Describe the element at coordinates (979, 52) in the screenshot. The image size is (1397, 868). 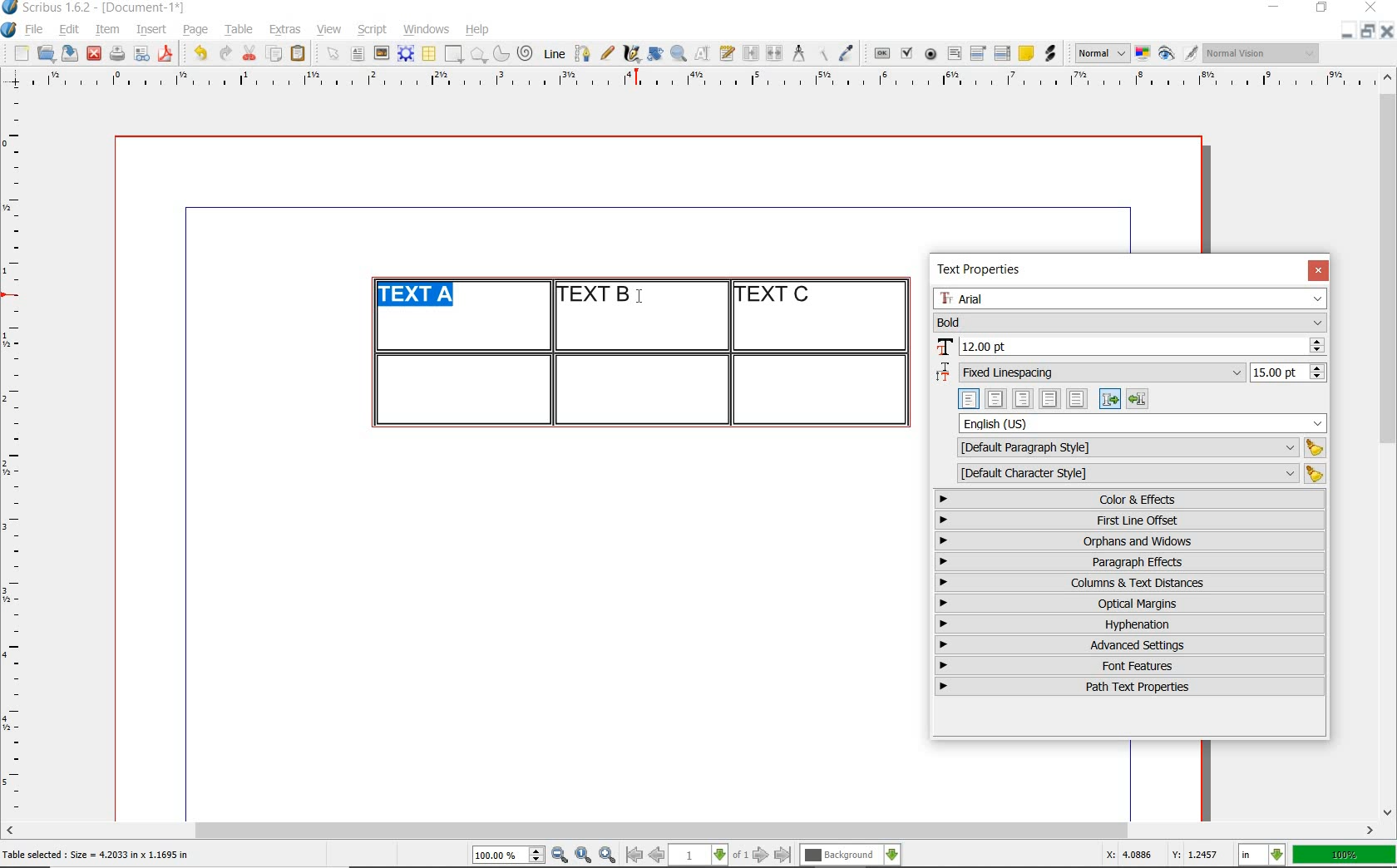
I see `pdf combo box` at that location.